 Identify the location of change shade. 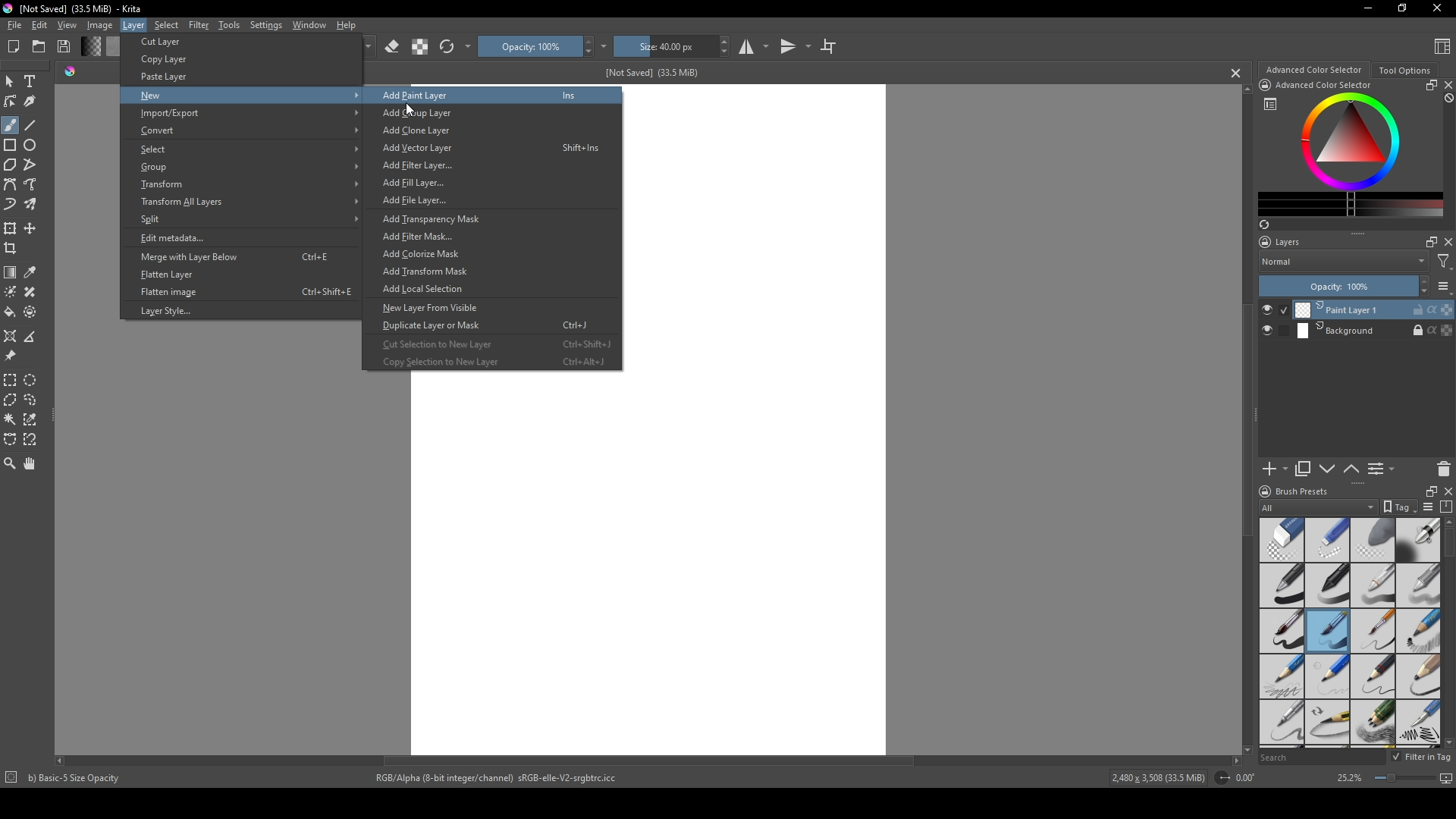
(90, 46).